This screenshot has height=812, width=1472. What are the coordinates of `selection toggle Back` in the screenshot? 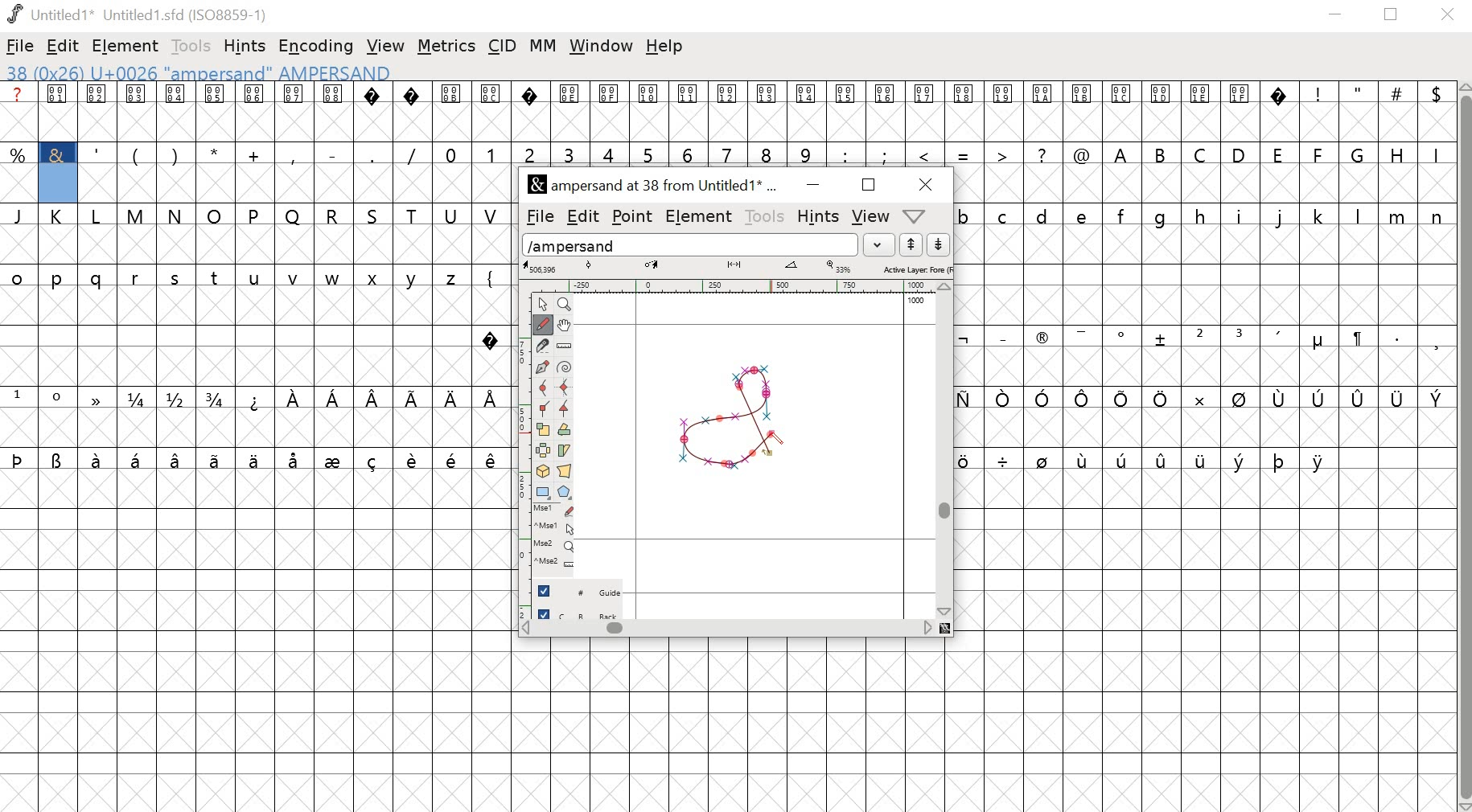 It's located at (586, 611).